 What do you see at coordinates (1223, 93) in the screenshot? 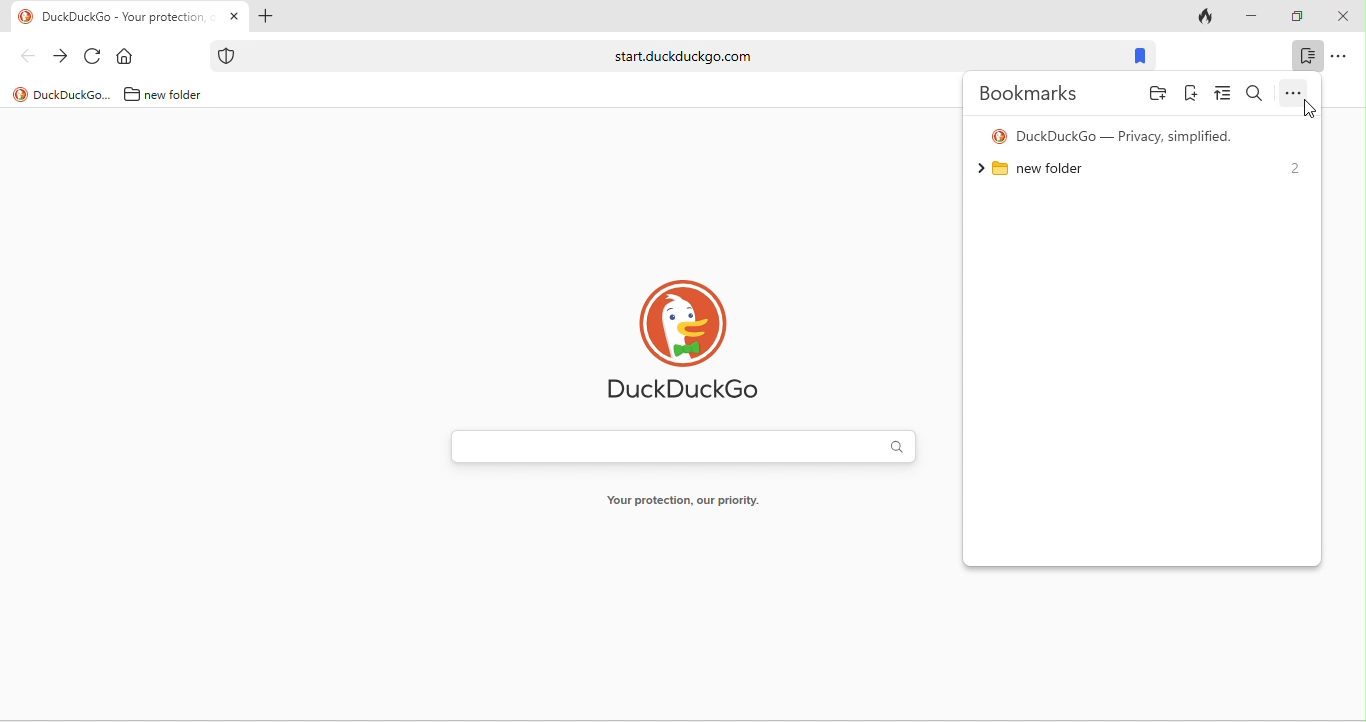
I see `view` at bounding box center [1223, 93].